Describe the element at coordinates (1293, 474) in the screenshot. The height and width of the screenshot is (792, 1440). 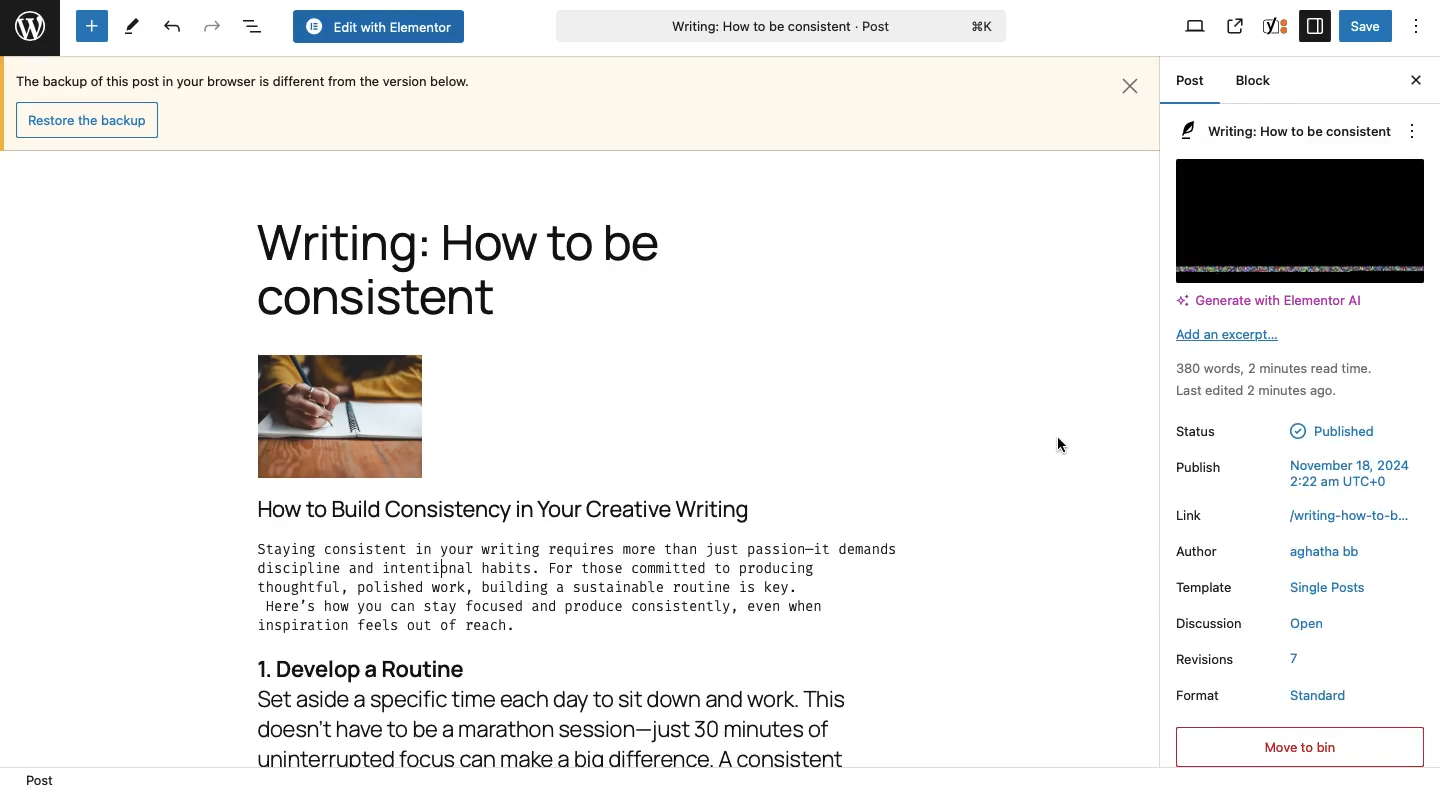
I see `Publish` at that location.